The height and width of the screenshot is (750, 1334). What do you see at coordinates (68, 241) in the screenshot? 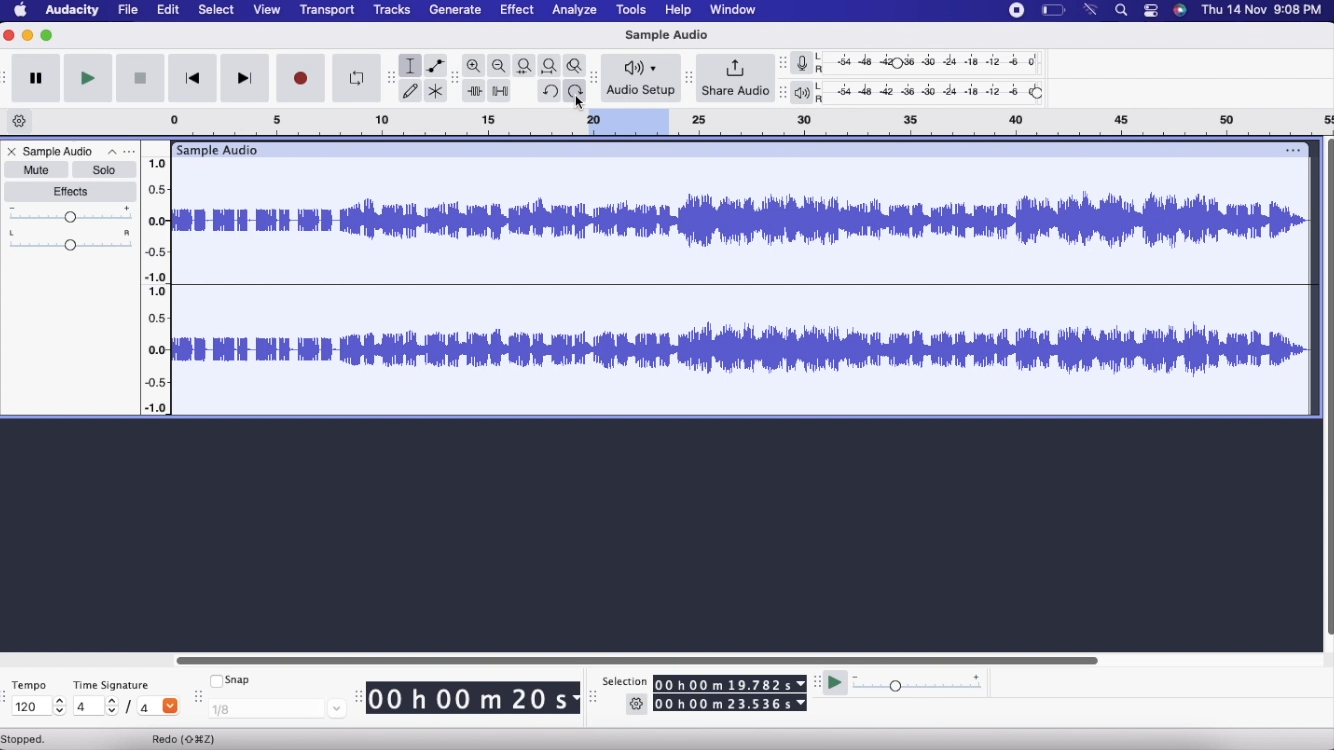
I see `Pan: Center` at bounding box center [68, 241].